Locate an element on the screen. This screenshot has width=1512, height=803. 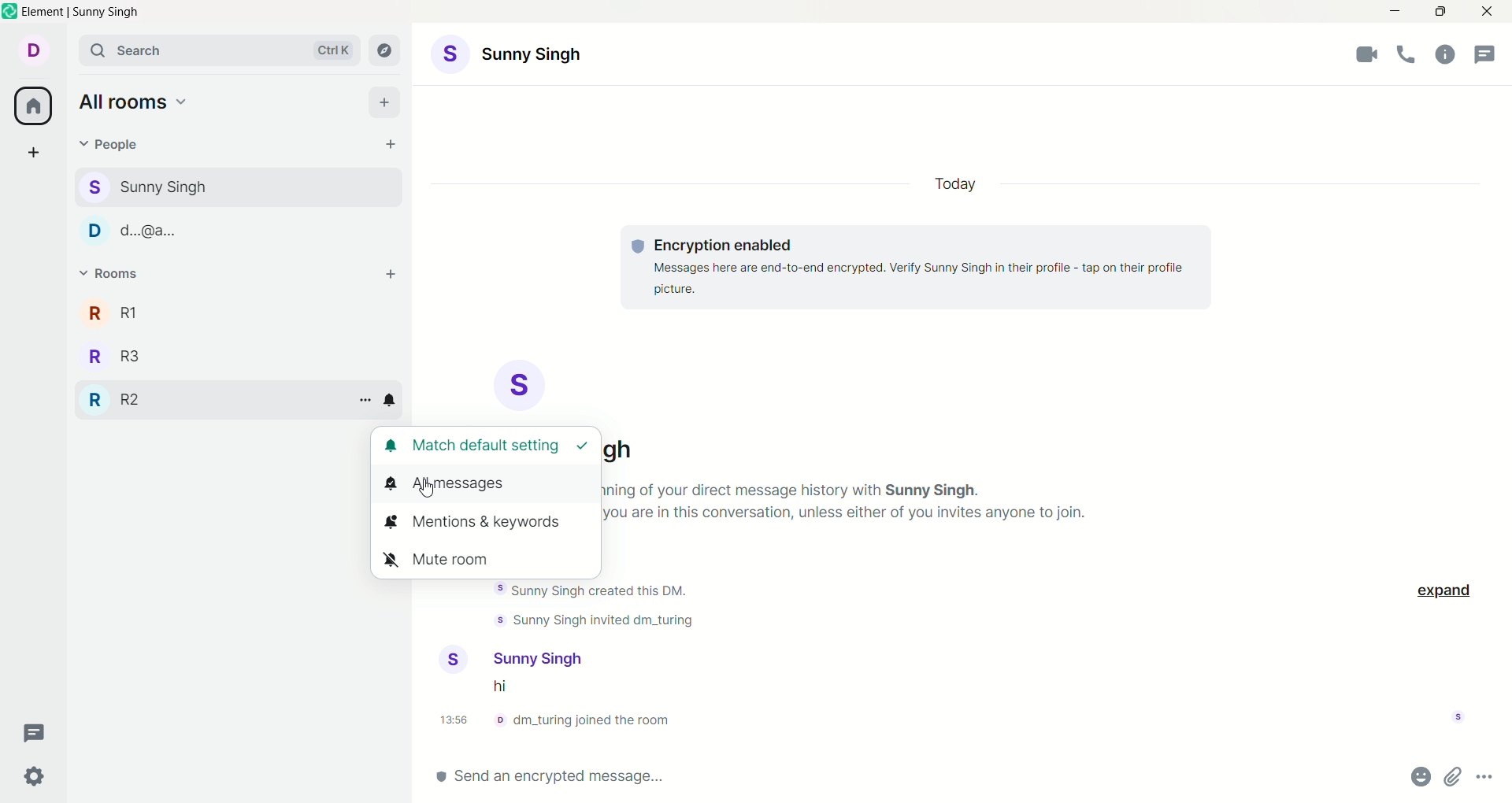
acccount is located at coordinates (546, 57).